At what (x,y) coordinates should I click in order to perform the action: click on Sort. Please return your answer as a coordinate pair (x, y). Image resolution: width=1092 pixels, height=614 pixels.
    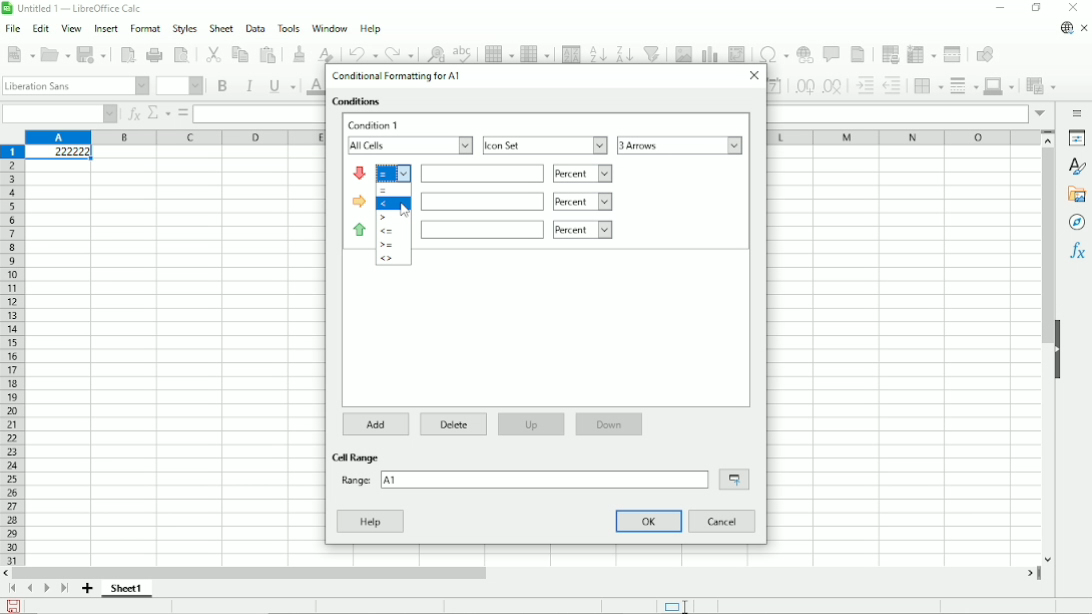
    Looking at the image, I should click on (571, 51).